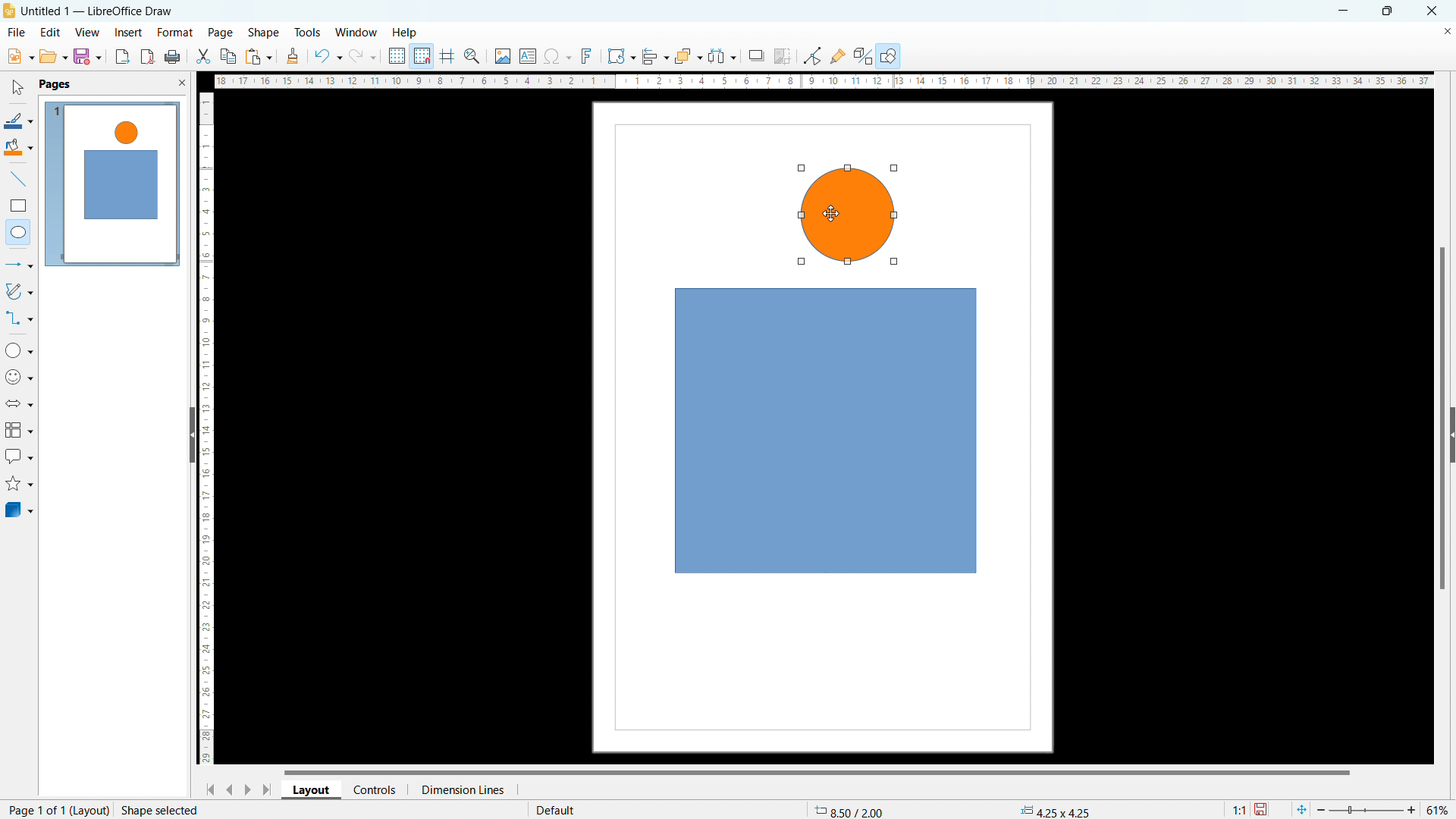  Describe the element at coordinates (88, 809) in the screenshot. I see `layout` at that location.